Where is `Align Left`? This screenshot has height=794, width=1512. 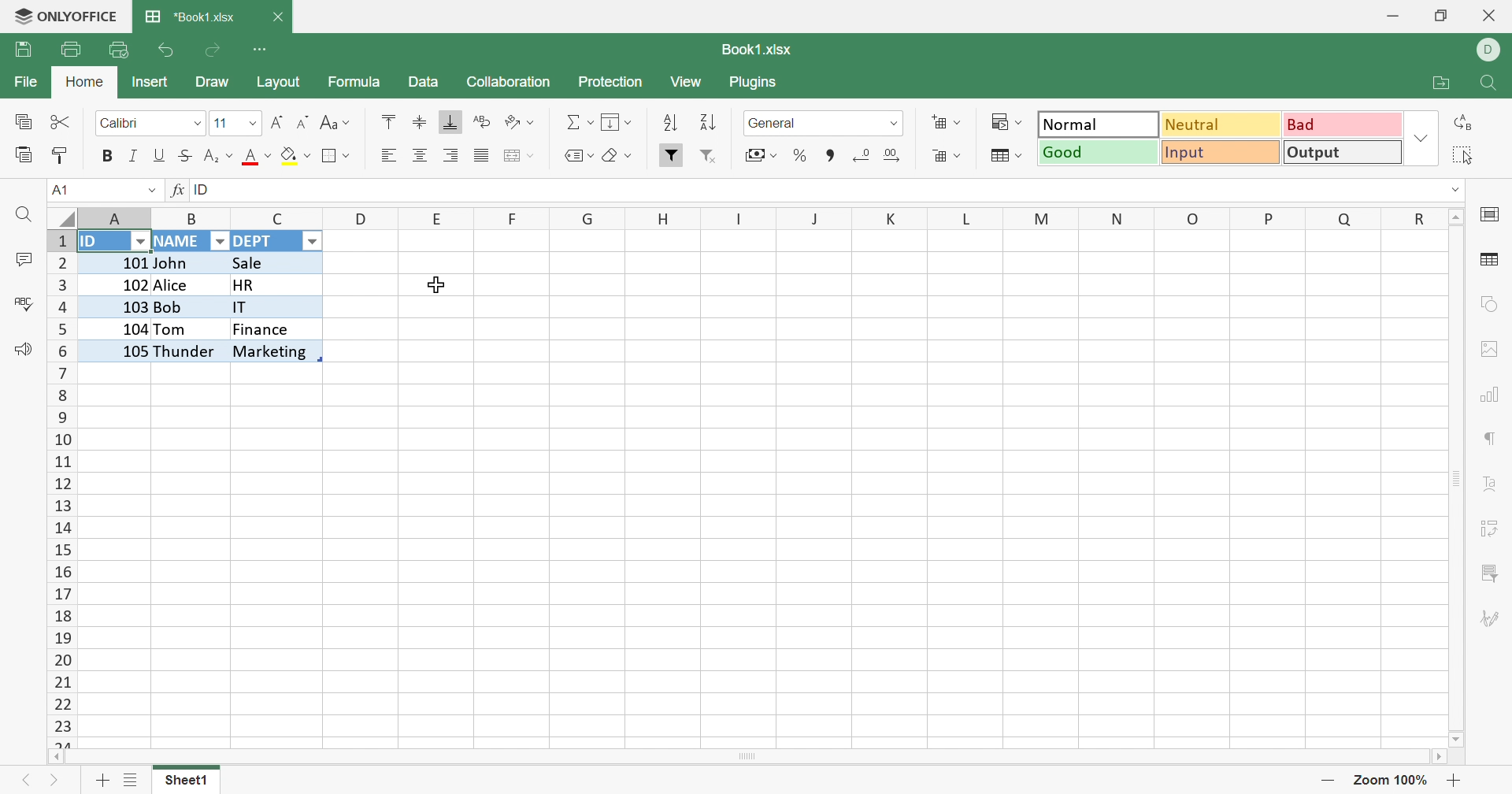 Align Left is located at coordinates (388, 157).